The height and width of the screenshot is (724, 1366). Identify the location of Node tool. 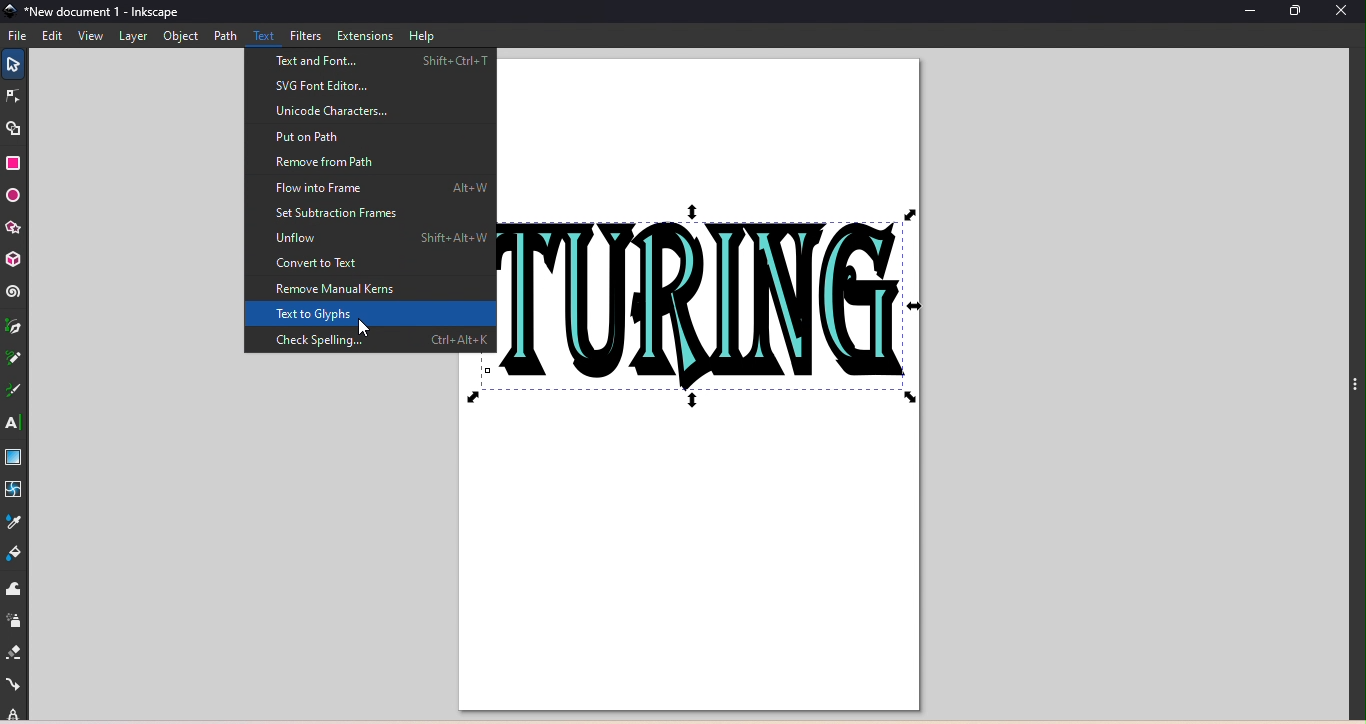
(15, 97).